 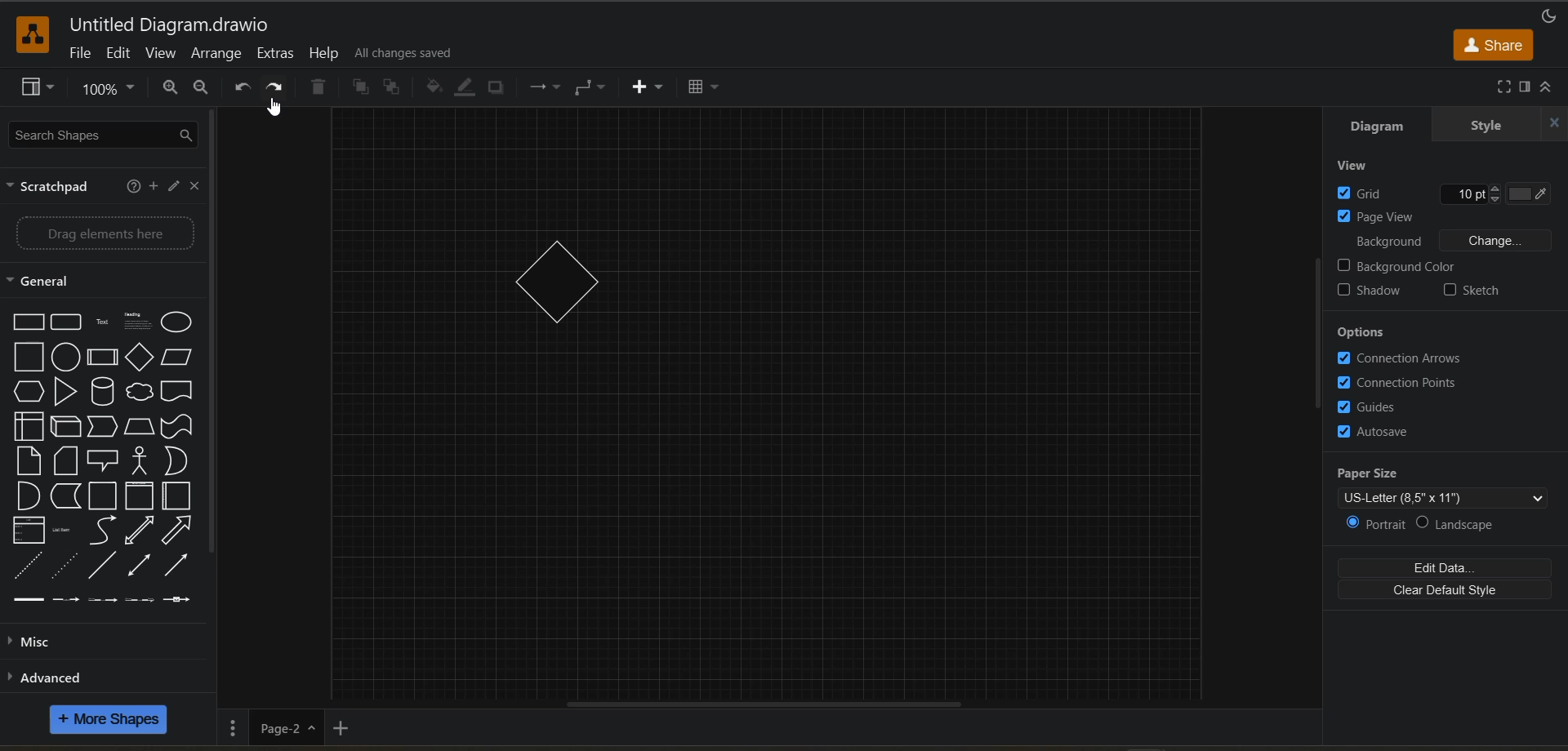 I want to click on help, so click(x=135, y=187).